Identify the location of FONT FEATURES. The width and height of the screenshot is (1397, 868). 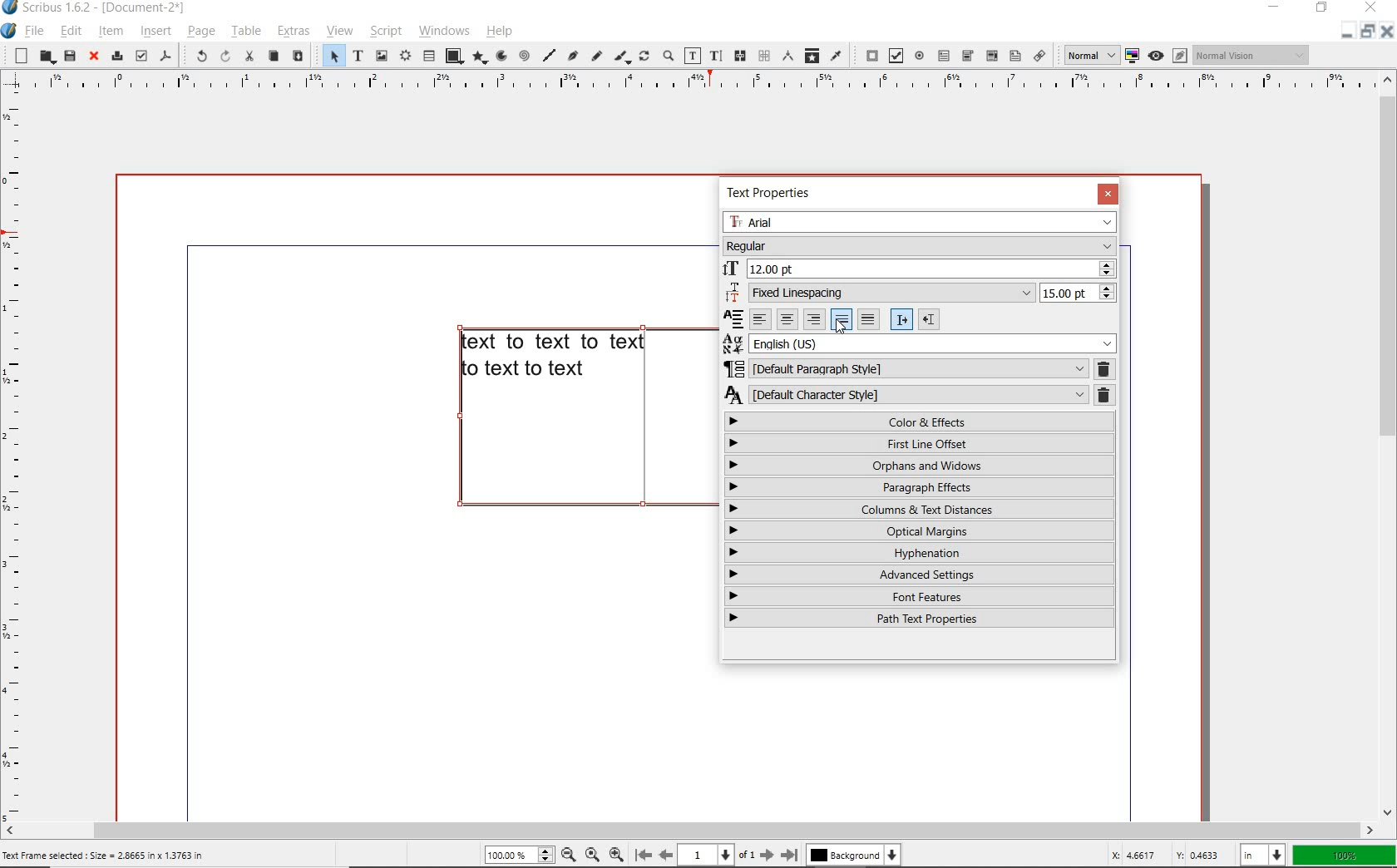
(921, 596).